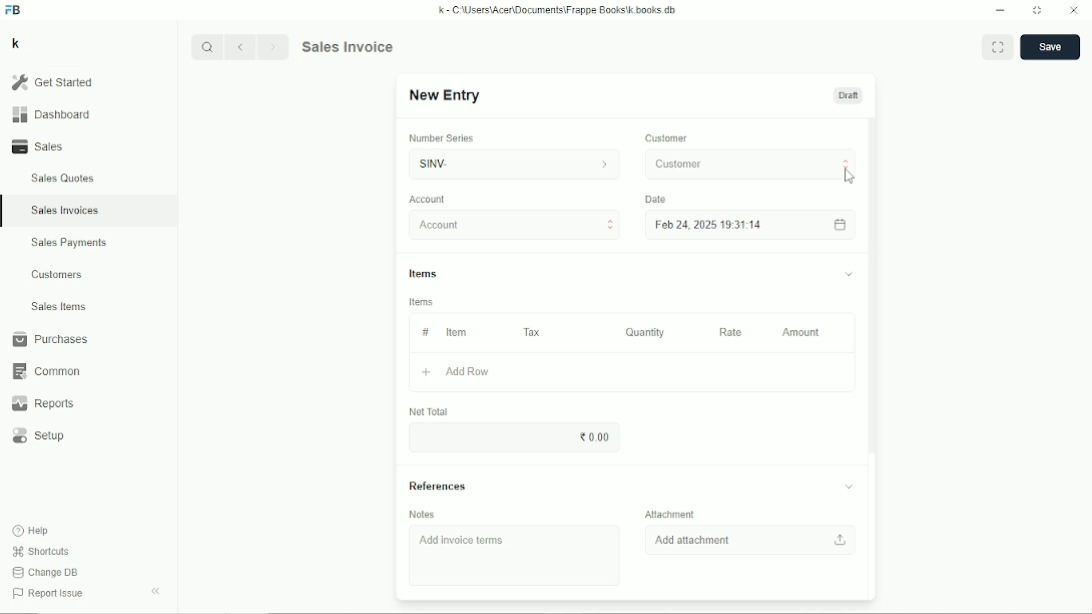  I want to click on Reports, so click(42, 404).